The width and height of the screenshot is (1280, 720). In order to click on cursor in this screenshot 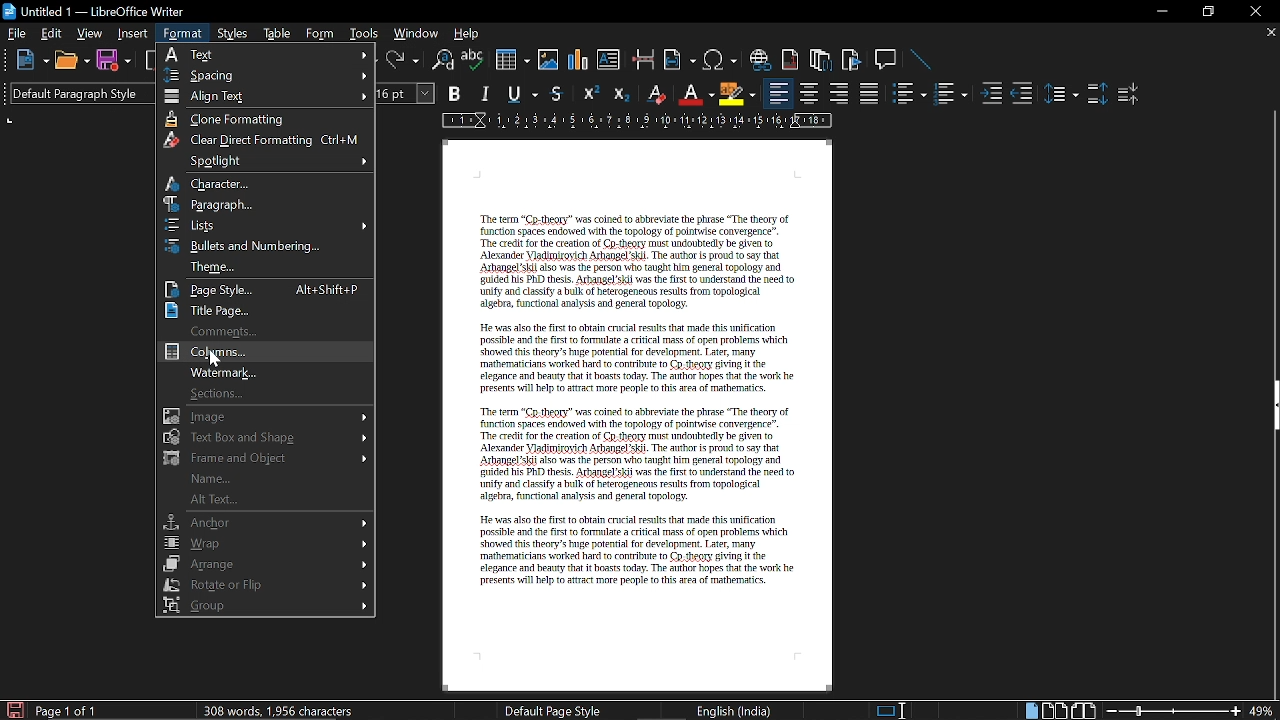, I will do `click(214, 358)`.